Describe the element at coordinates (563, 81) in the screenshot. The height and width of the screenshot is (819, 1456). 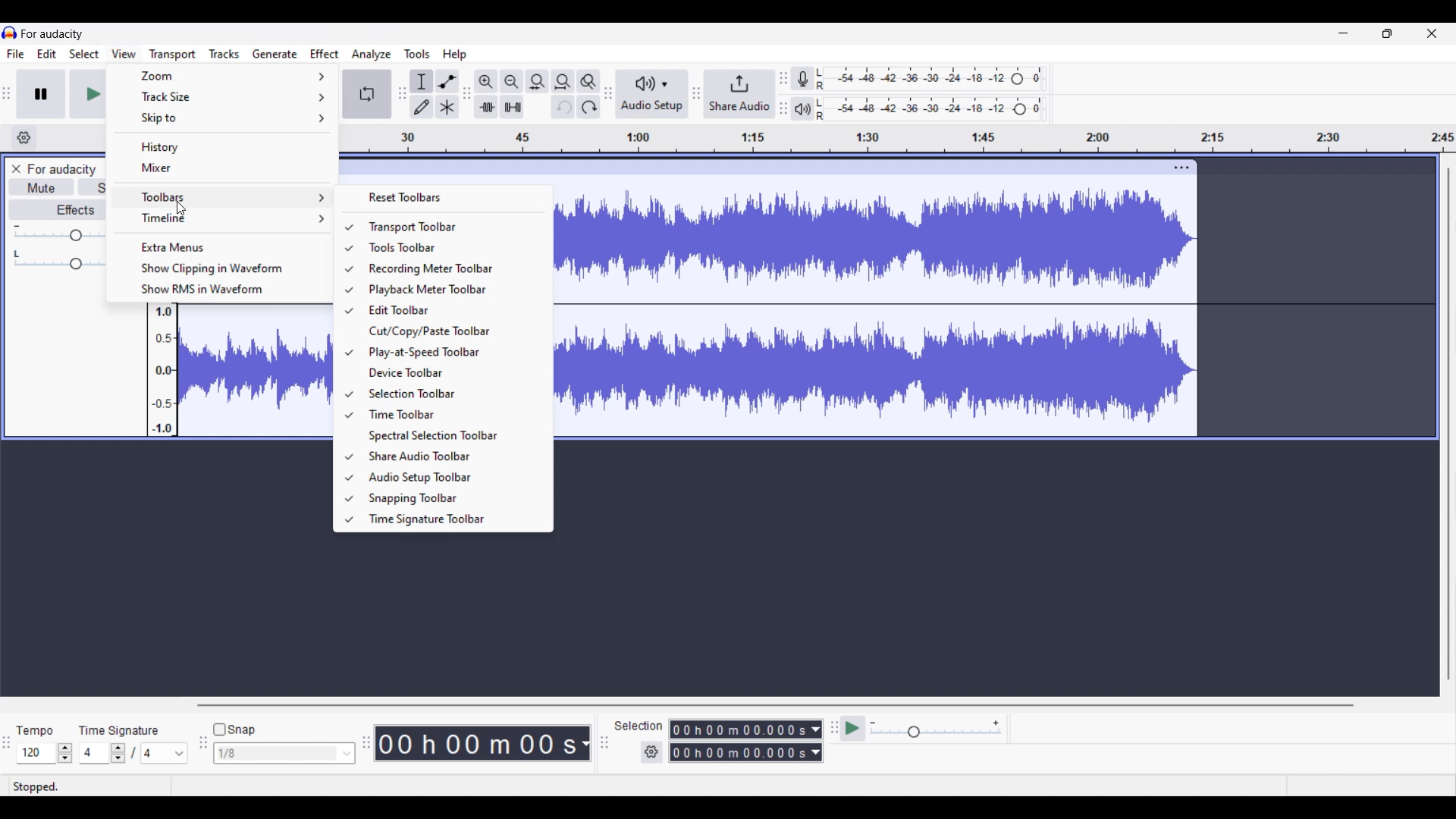
I see `Fit projection to width` at that location.